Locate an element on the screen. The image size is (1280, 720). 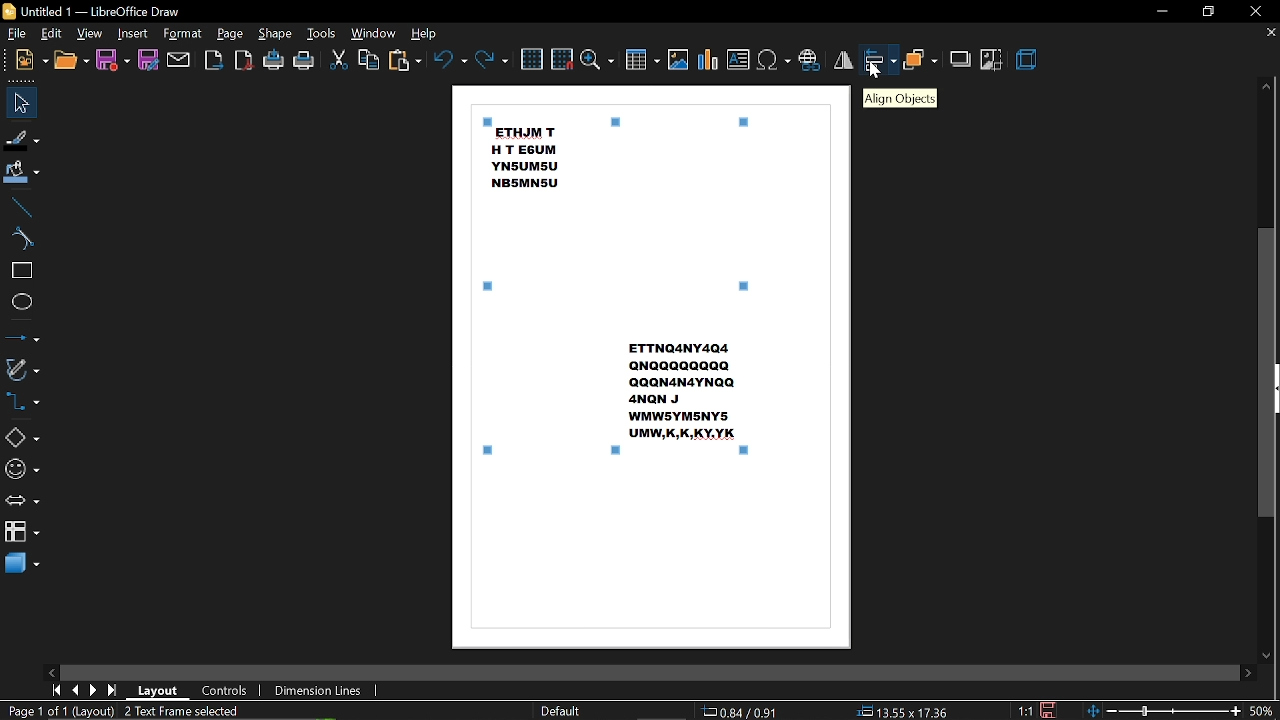
ellipse is located at coordinates (21, 302).